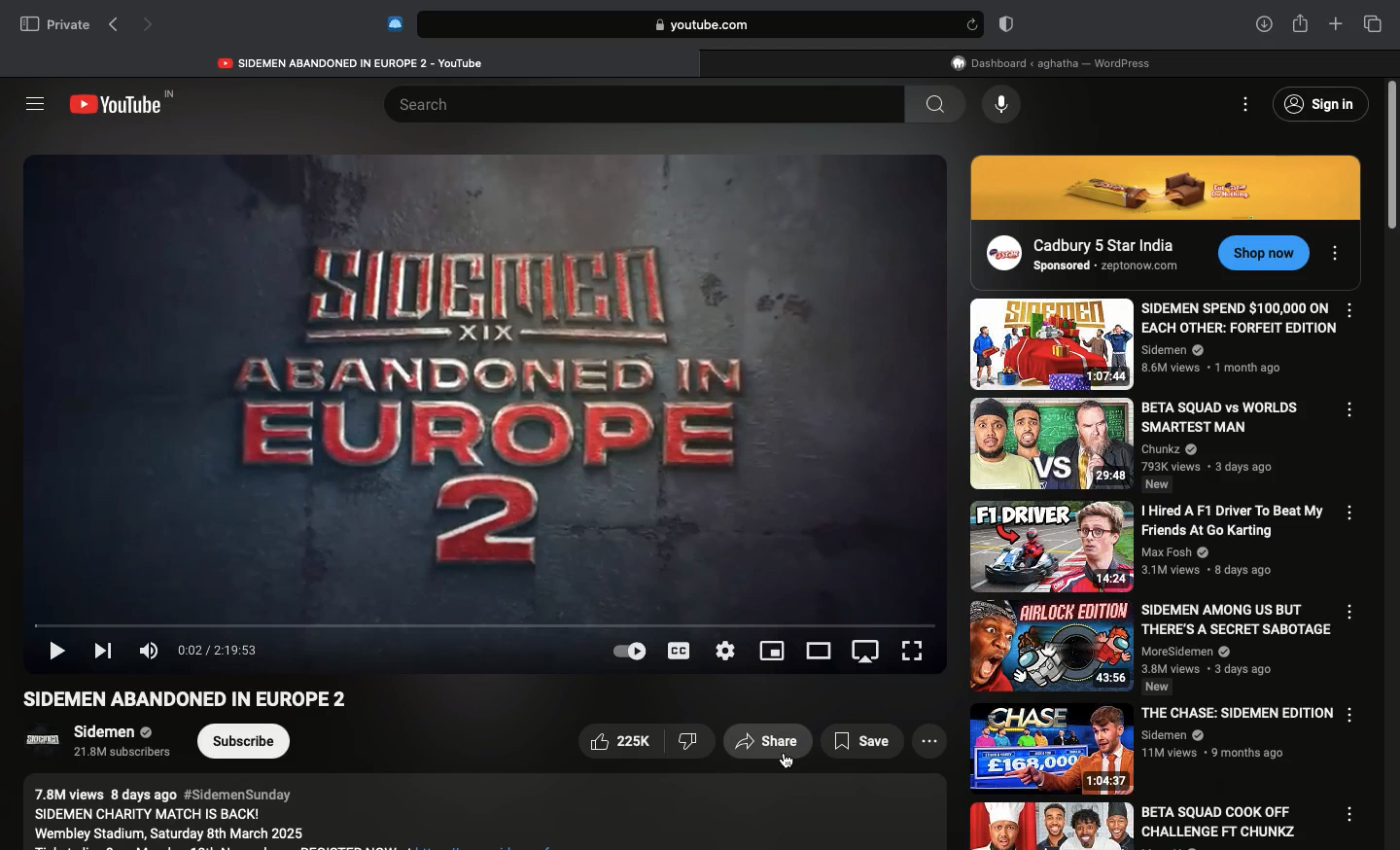 This screenshot has height=850, width=1400. I want to click on Options, so click(1247, 103).